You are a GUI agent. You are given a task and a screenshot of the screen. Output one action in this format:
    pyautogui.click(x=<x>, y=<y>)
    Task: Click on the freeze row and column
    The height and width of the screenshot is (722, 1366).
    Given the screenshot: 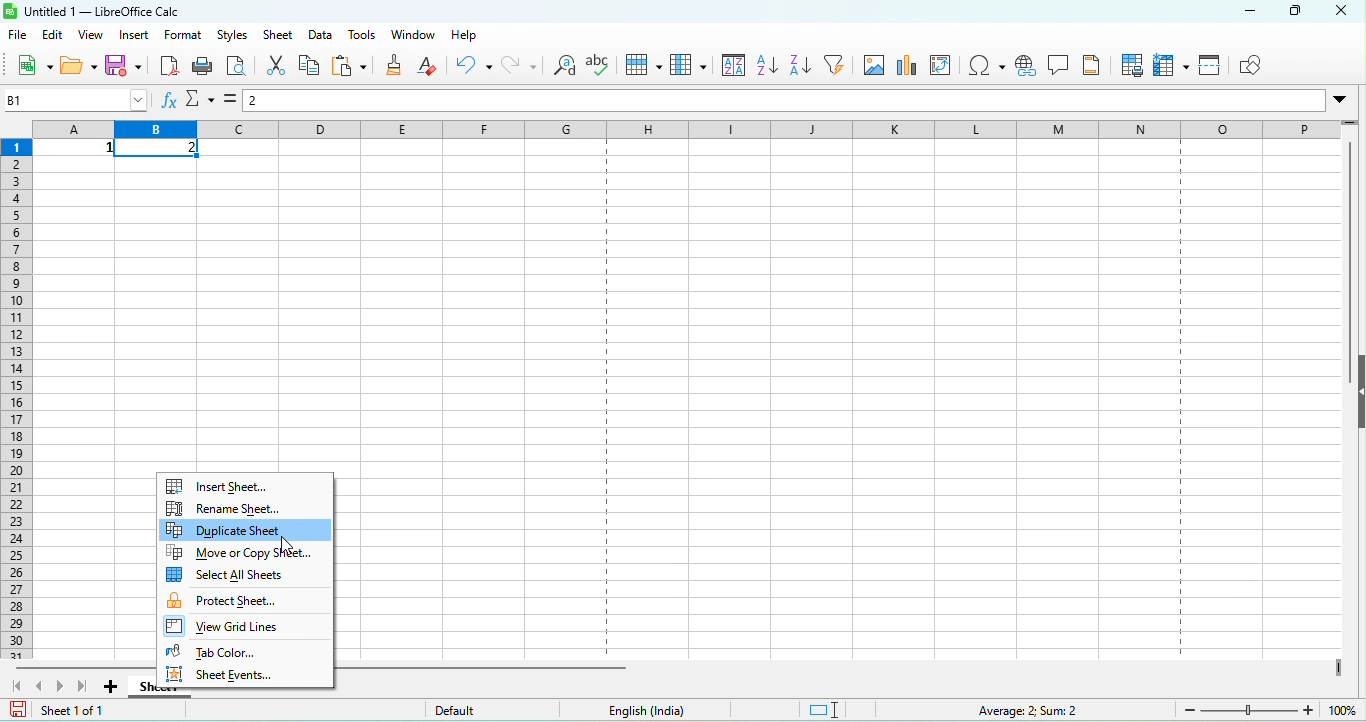 What is the action you would take?
    pyautogui.click(x=1171, y=66)
    